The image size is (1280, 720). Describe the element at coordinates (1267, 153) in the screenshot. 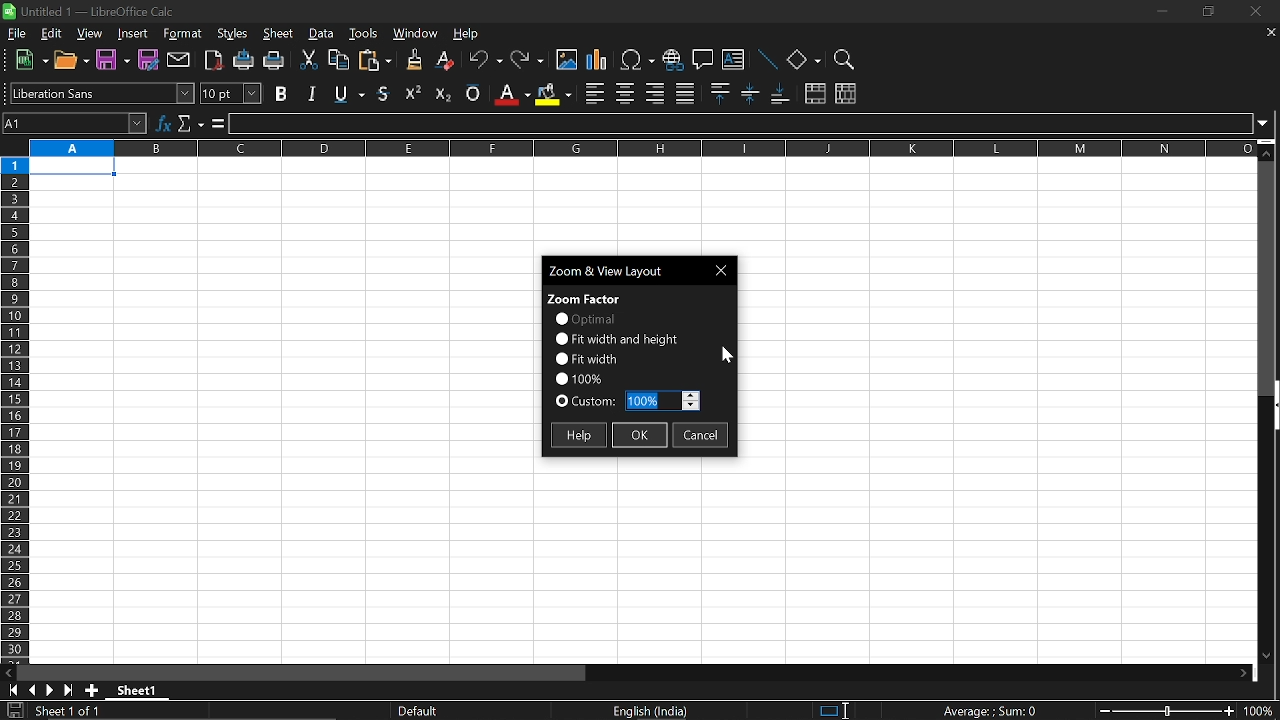

I see `Move up` at that location.